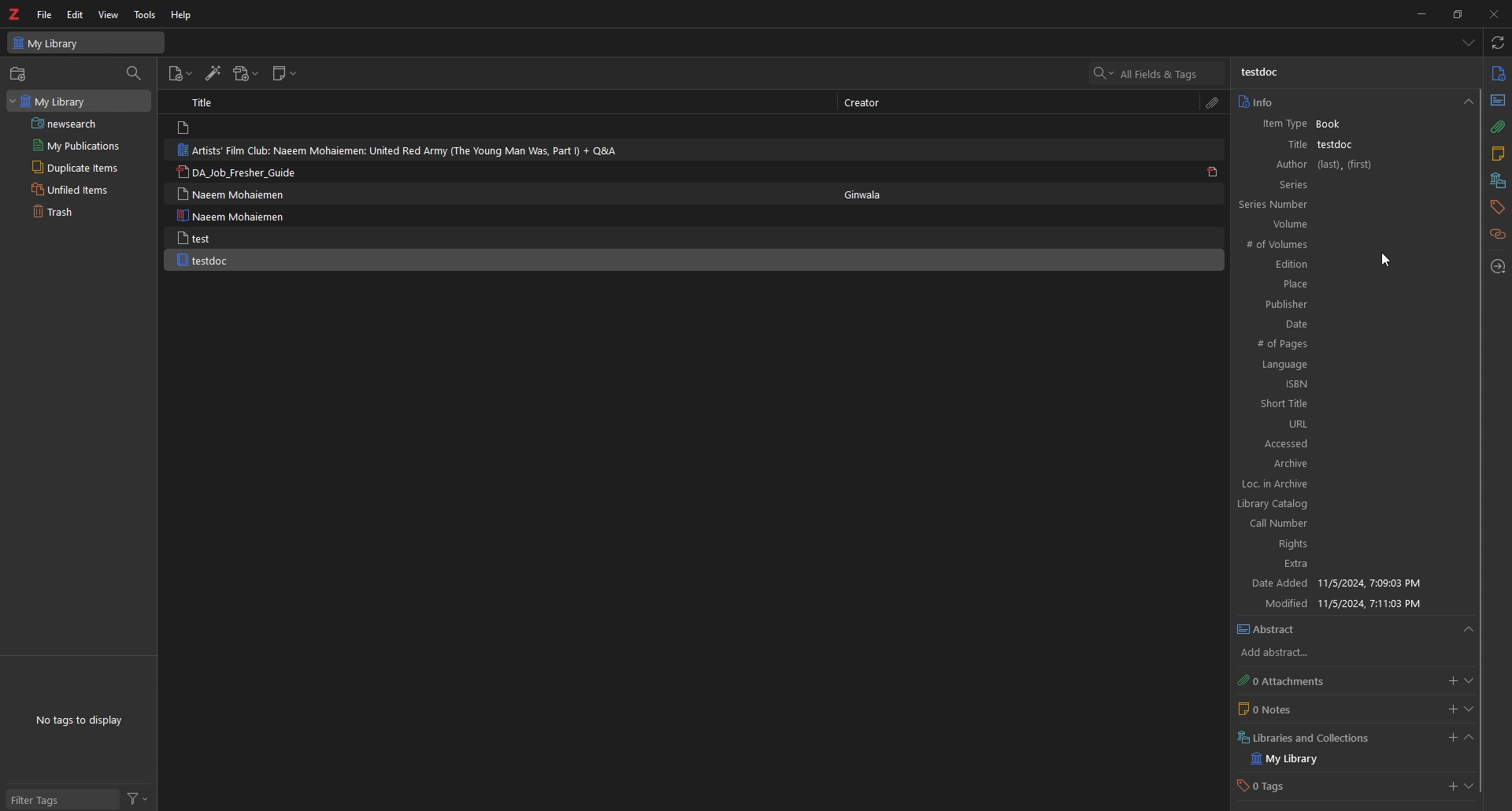 This screenshot has height=811, width=1512. Describe the element at coordinates (1497, 267) in the screenshot. I see `locate` at that location.